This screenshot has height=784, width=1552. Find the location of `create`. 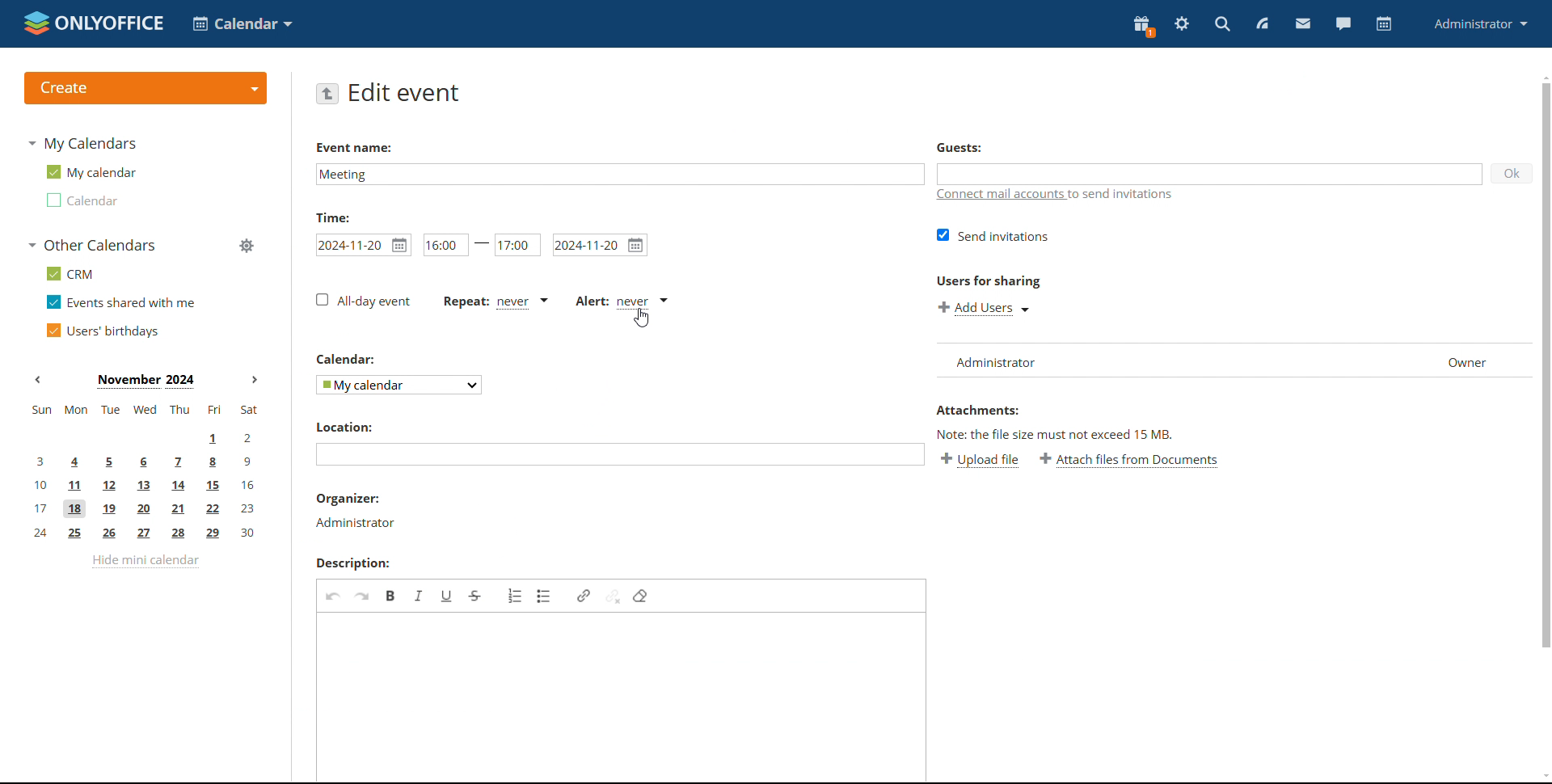

create is located at coordinates (145, 88).